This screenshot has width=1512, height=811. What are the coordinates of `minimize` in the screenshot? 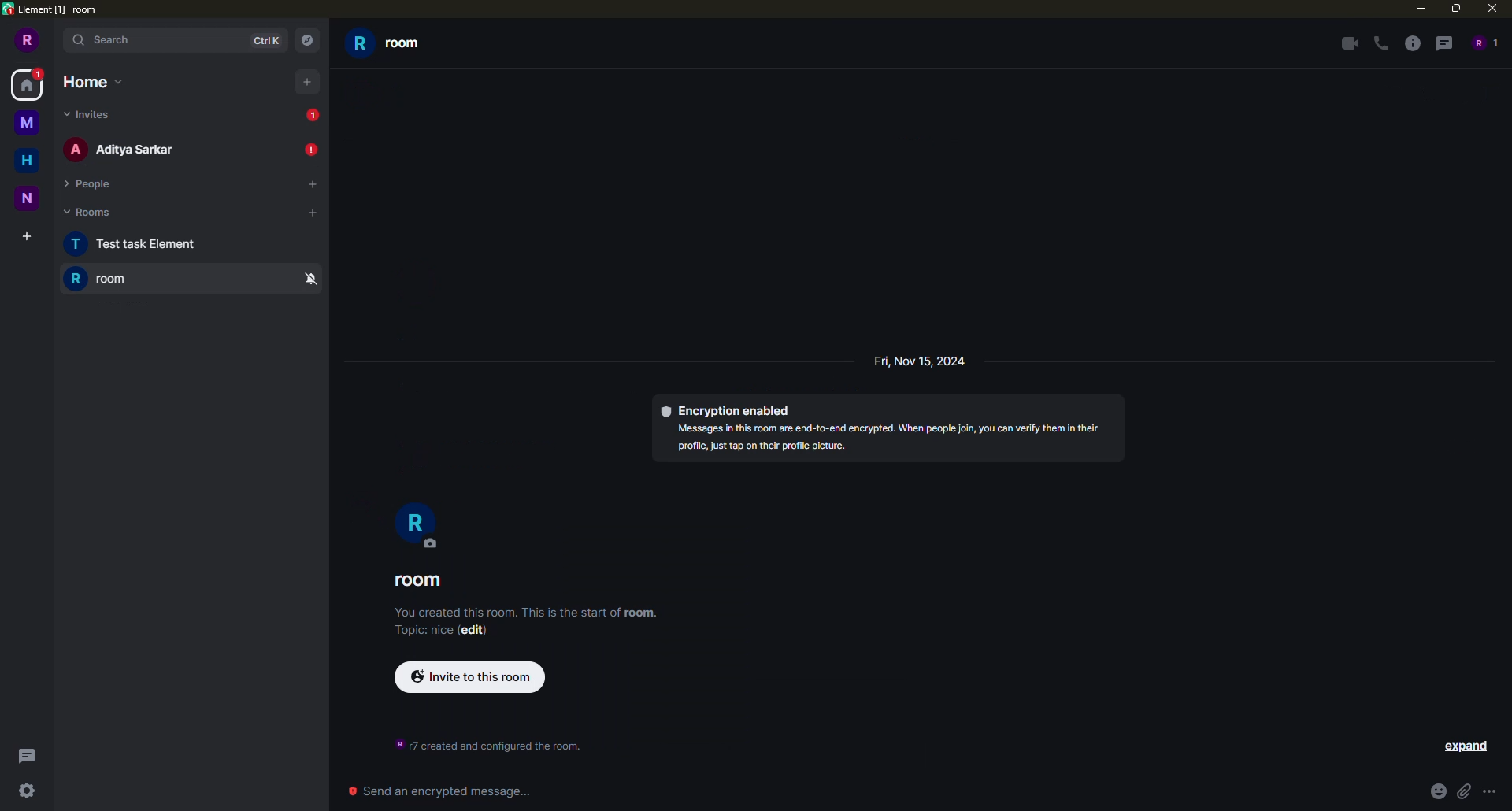 It's located at (1419, 9).